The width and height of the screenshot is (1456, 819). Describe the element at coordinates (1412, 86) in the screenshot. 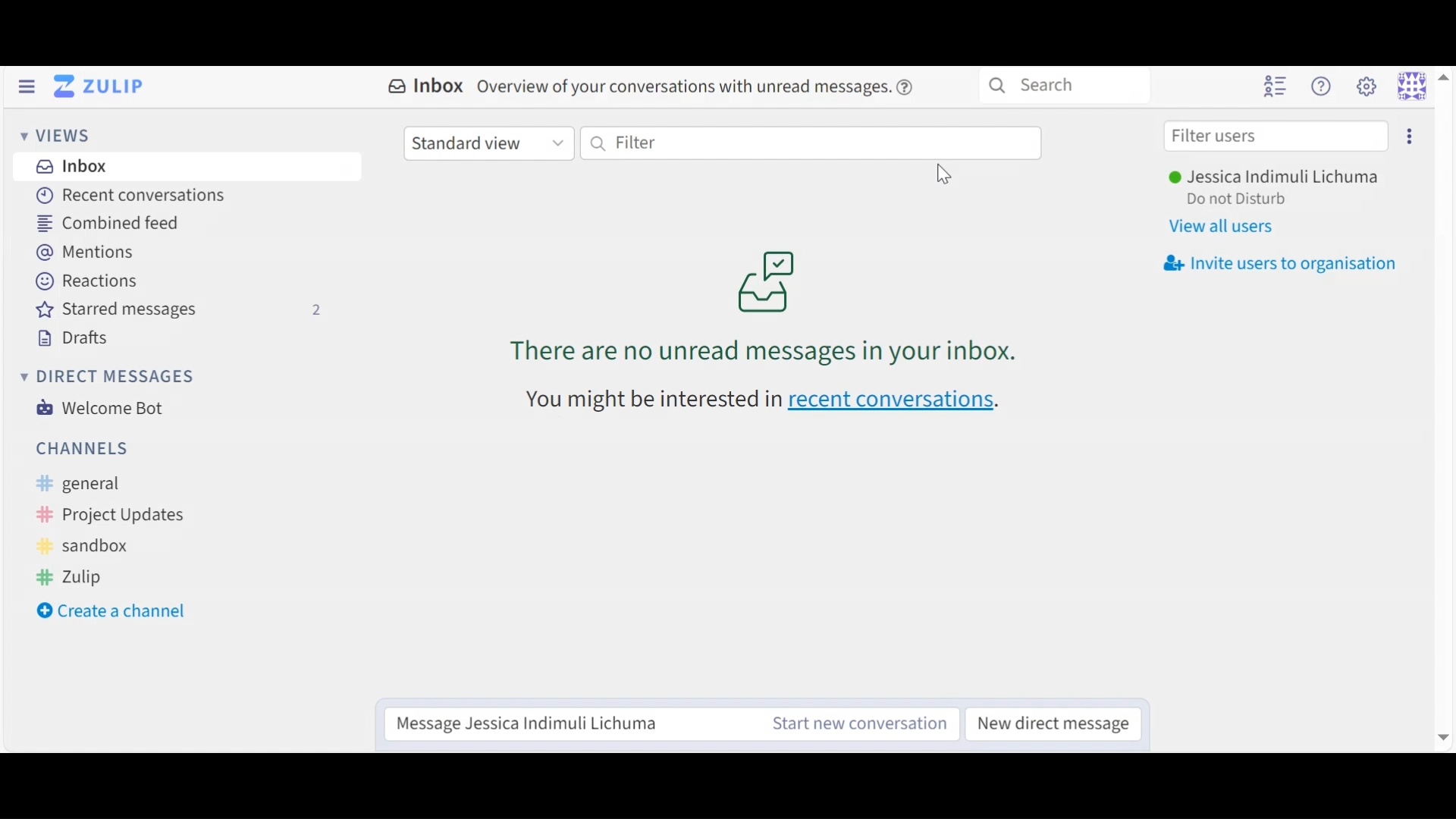

I see `Personal menu` at that location.